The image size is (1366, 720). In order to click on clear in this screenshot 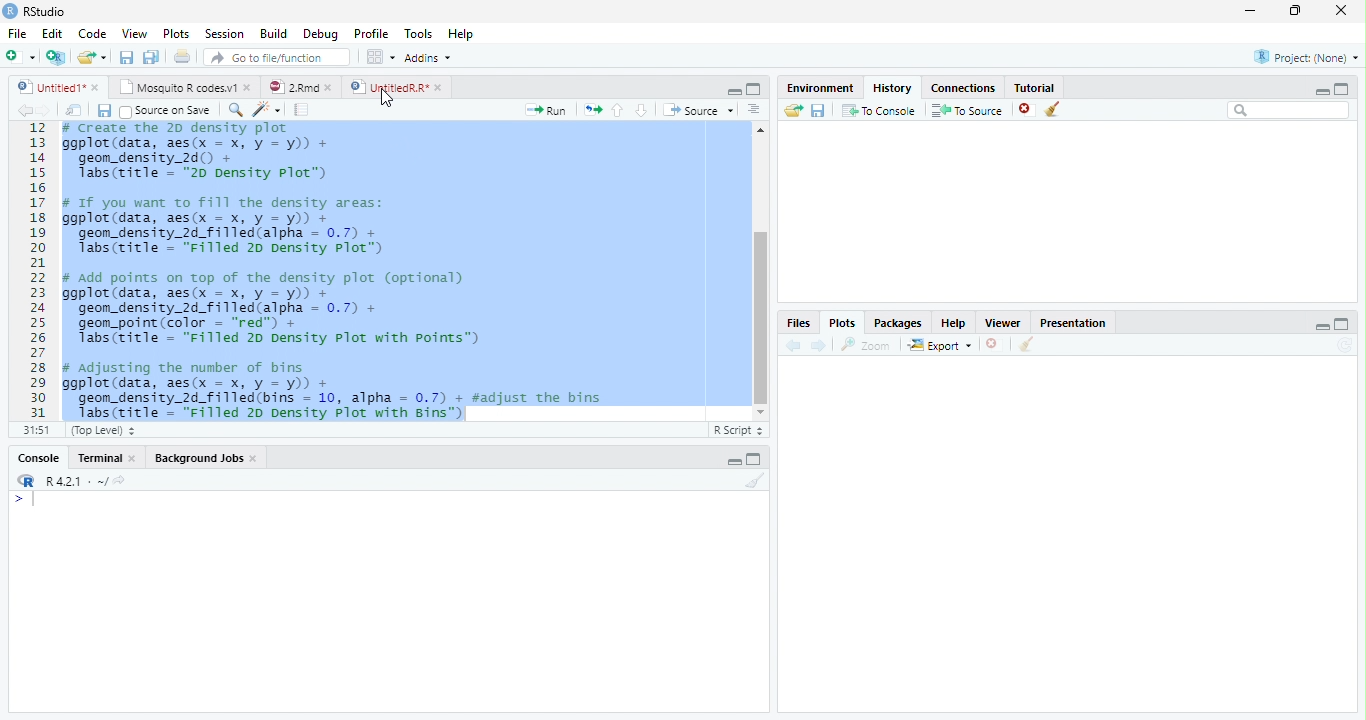, I will do `click(1053, 110)`.